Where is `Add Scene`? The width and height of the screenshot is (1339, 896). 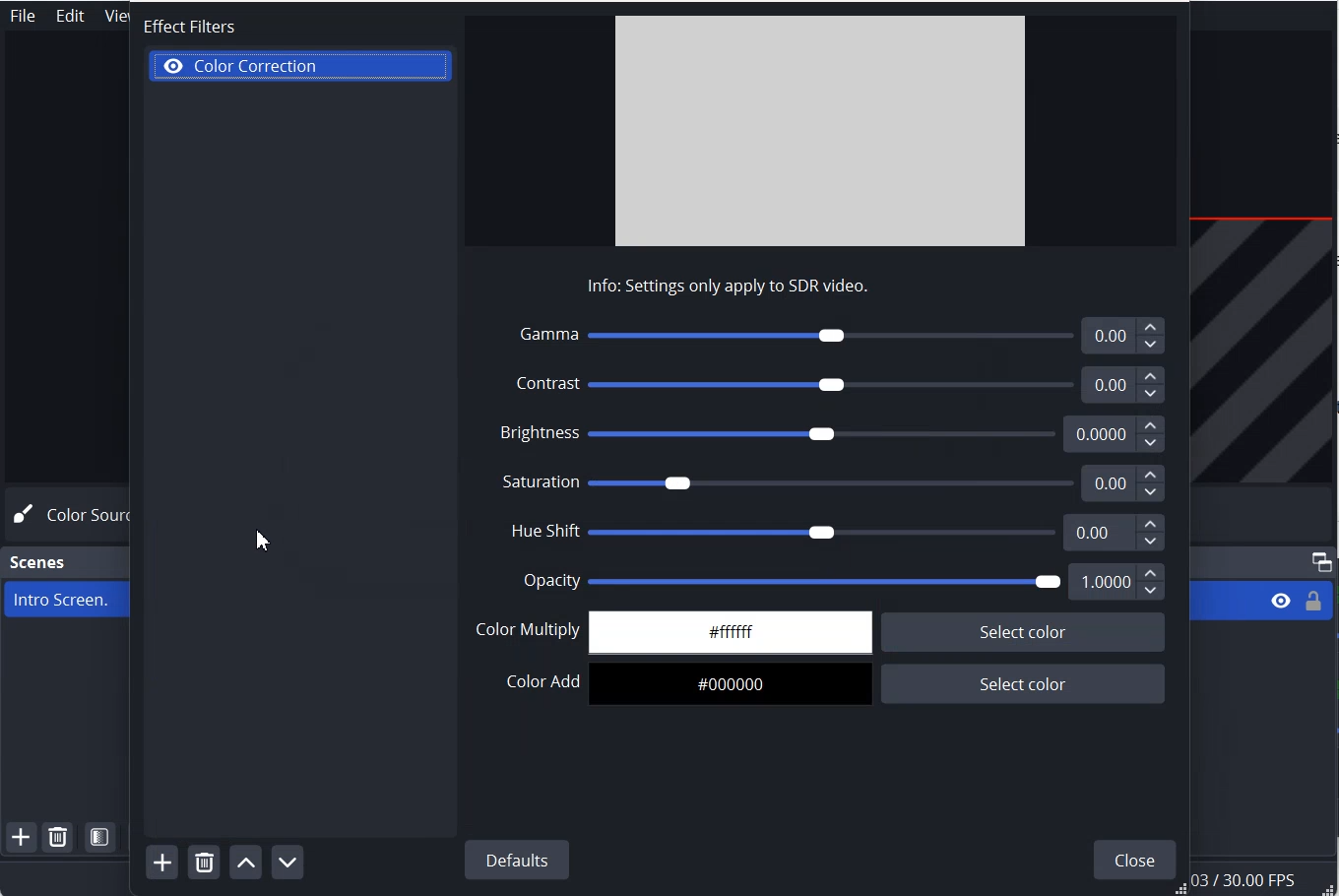
Add Scene is located at coordinates (21, 838).